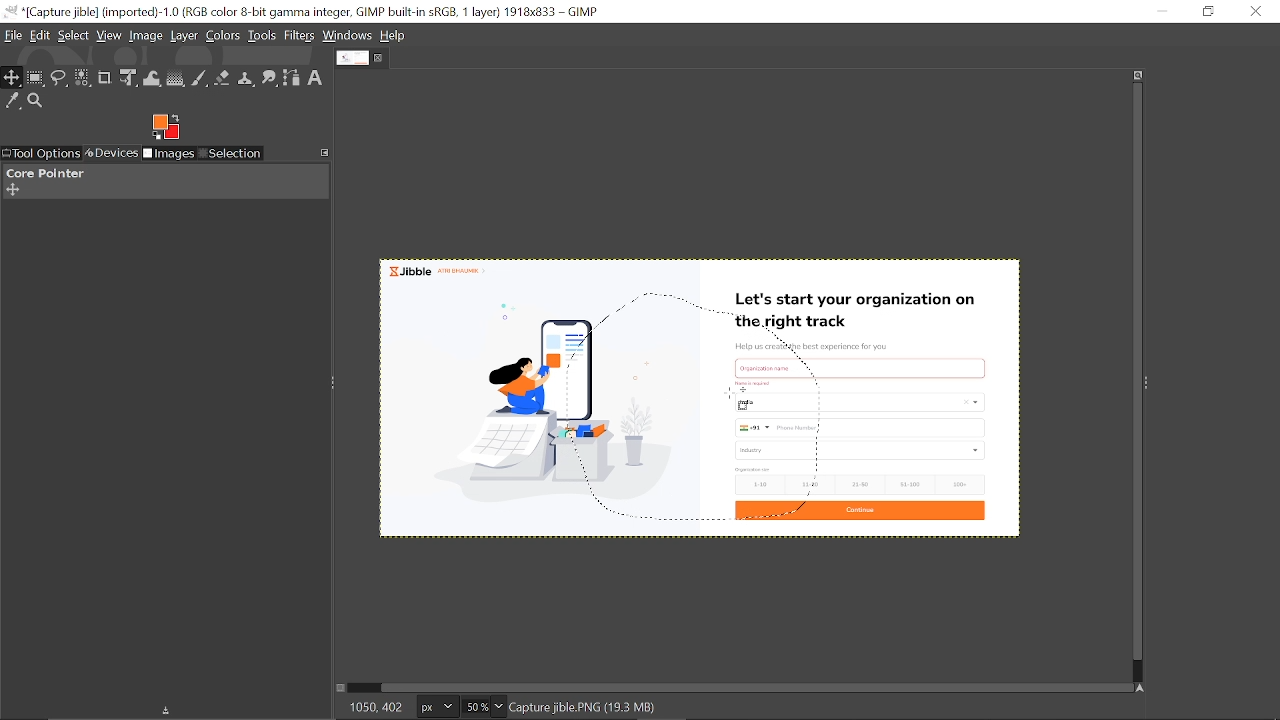 The width and height of the screenshot is (1280, 720). What do you see at coordinates (177, 79) in the screenshot?
I see `Gradient tool` at bounding box center [177, 79].